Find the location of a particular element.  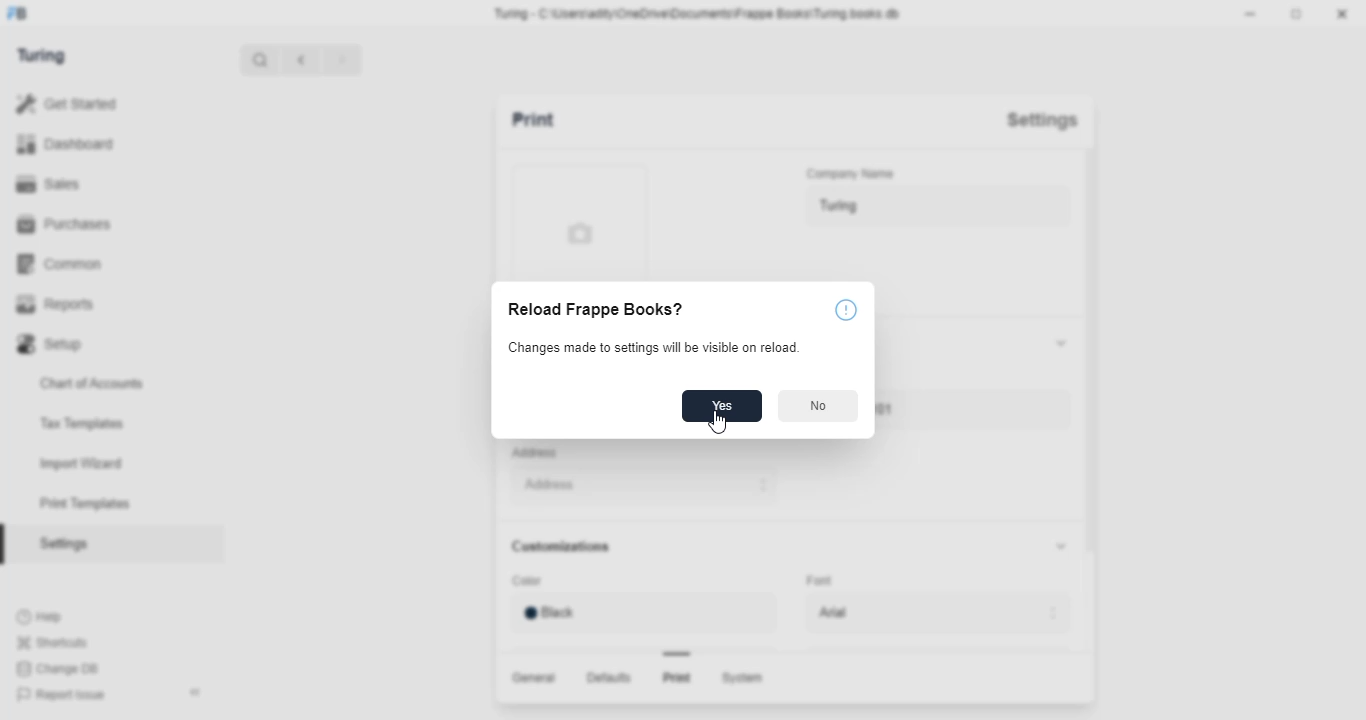

Defaults is located at coordinates (606, 678).